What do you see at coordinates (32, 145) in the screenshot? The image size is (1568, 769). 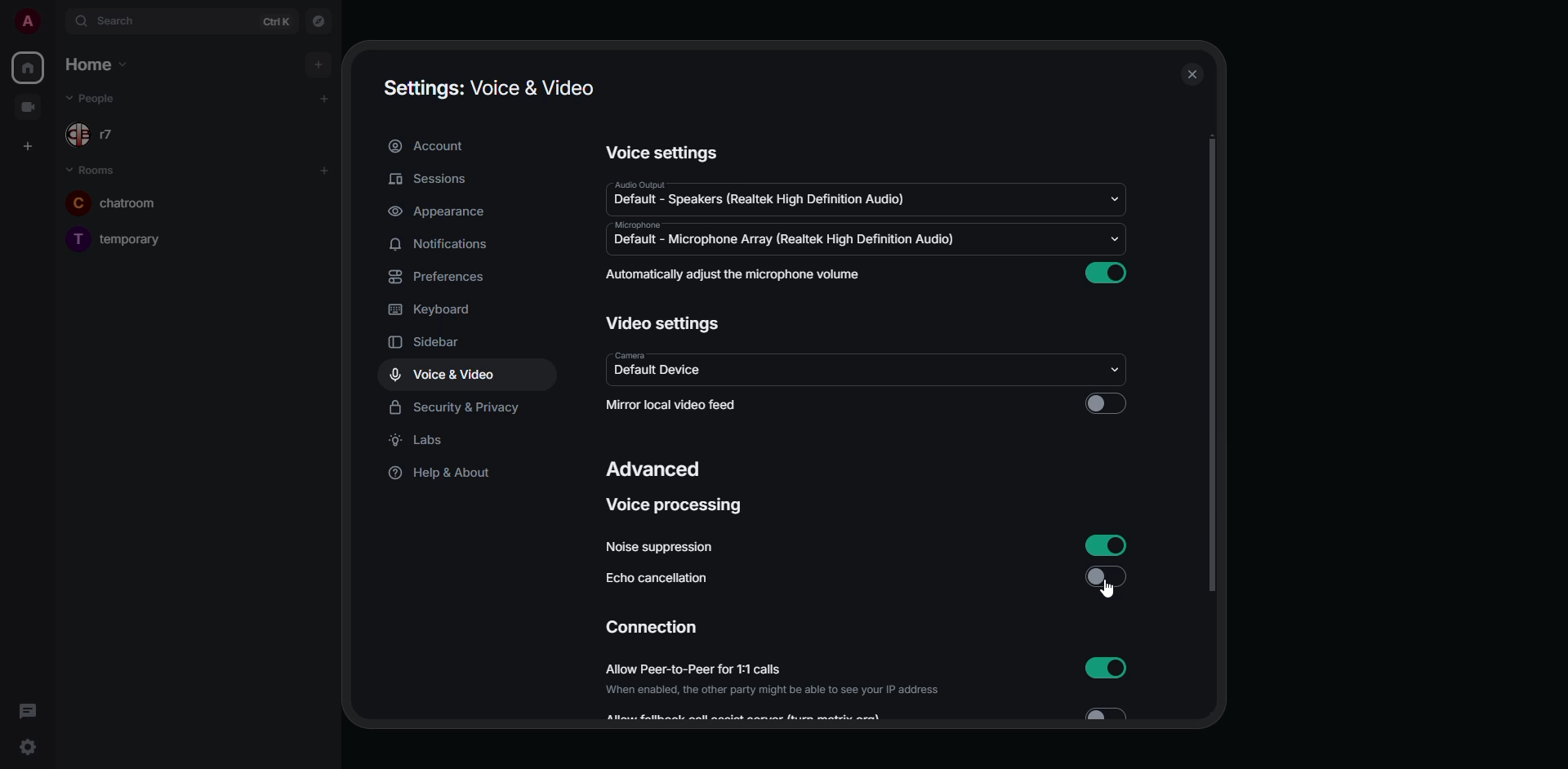 I see `create space` at bounding box center [32, 145].